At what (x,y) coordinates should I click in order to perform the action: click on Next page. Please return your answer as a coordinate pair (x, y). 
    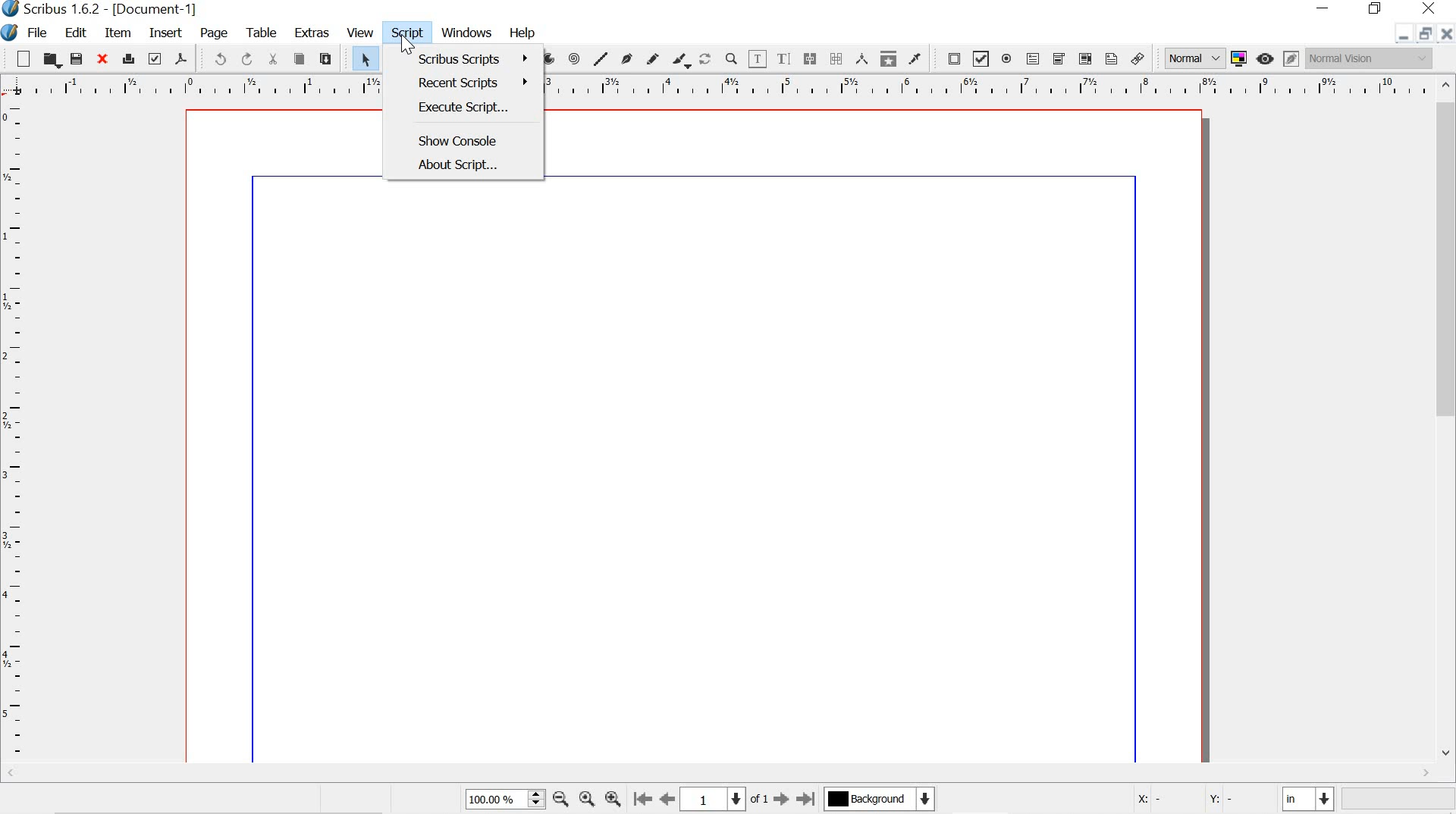
    Looking at the image, I should click on (780, 800).